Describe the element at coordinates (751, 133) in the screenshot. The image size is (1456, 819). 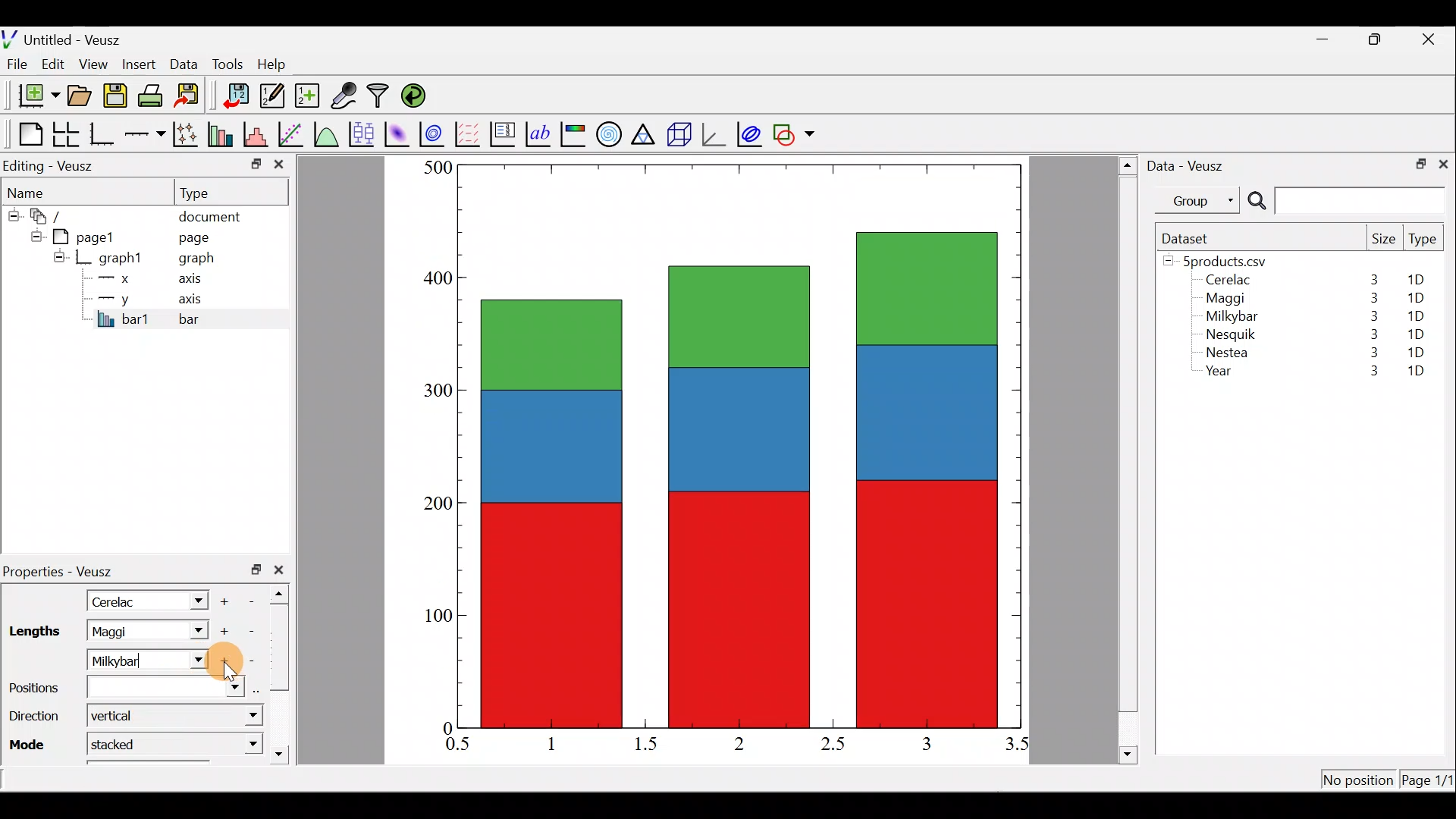
I see `plot covariance ellipses` at that location.